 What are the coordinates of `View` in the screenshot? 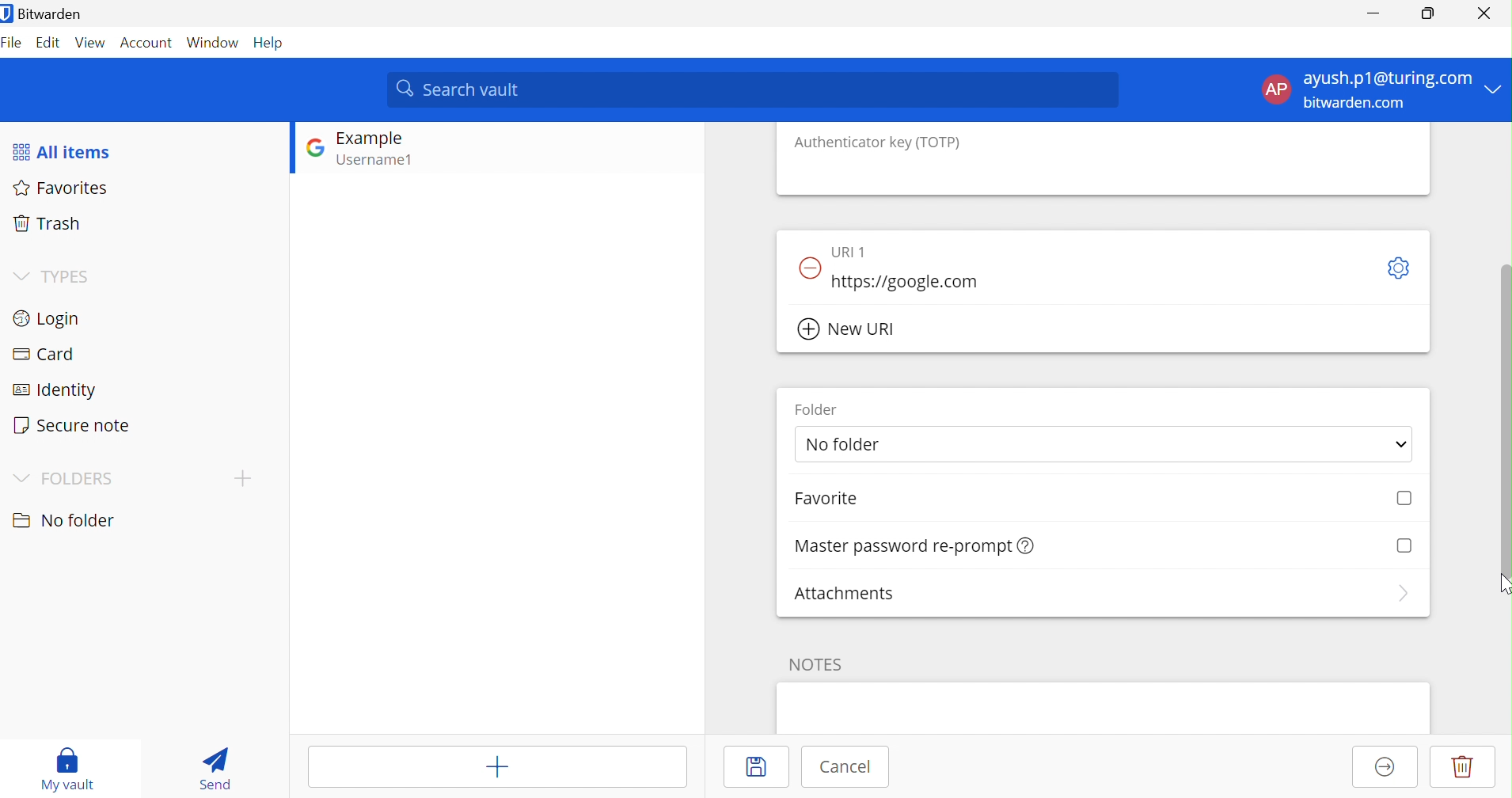 It's located at (91, 42).